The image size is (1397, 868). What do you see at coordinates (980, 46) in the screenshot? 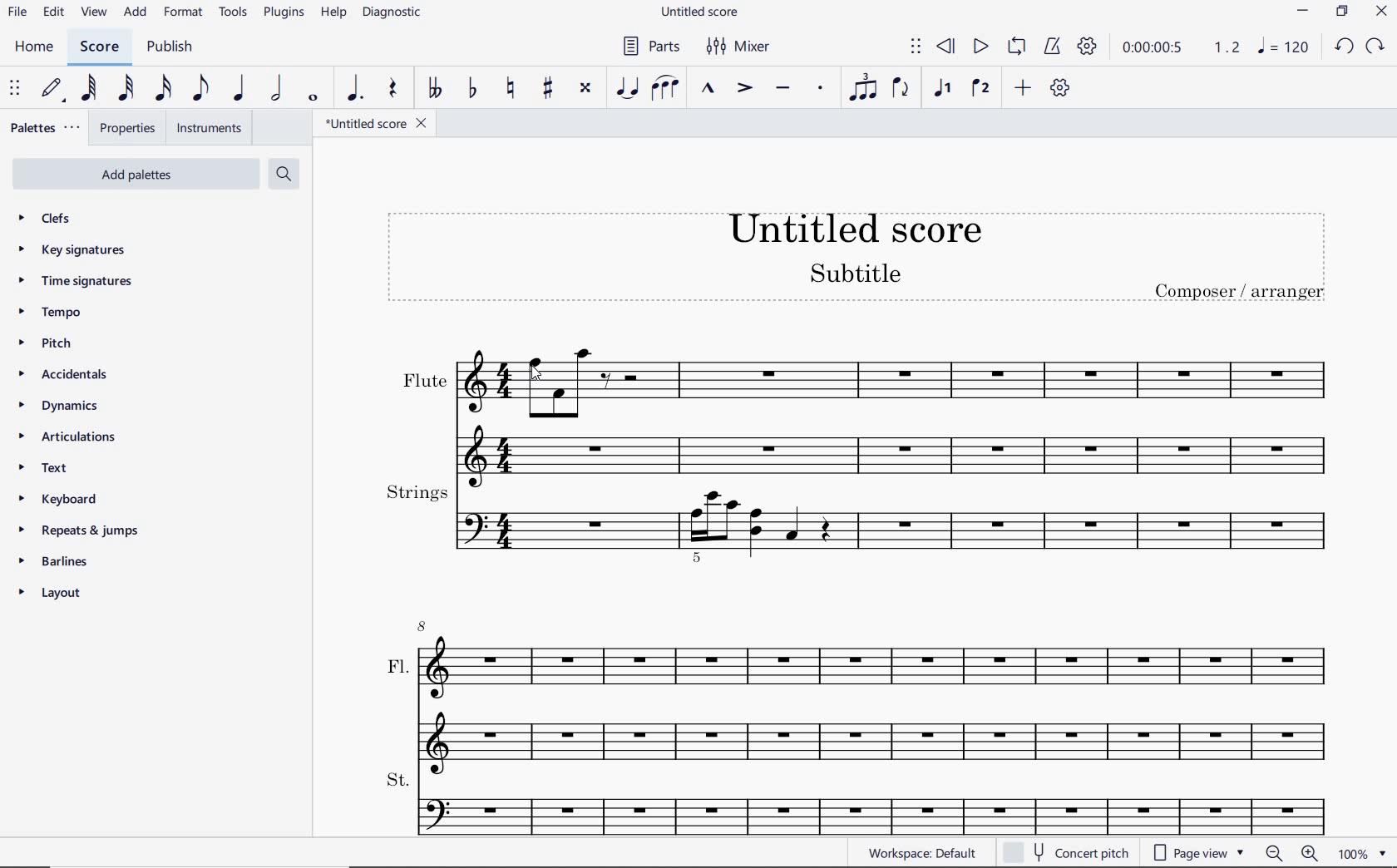
I see `PLAY` at bounding box center [980, 46].